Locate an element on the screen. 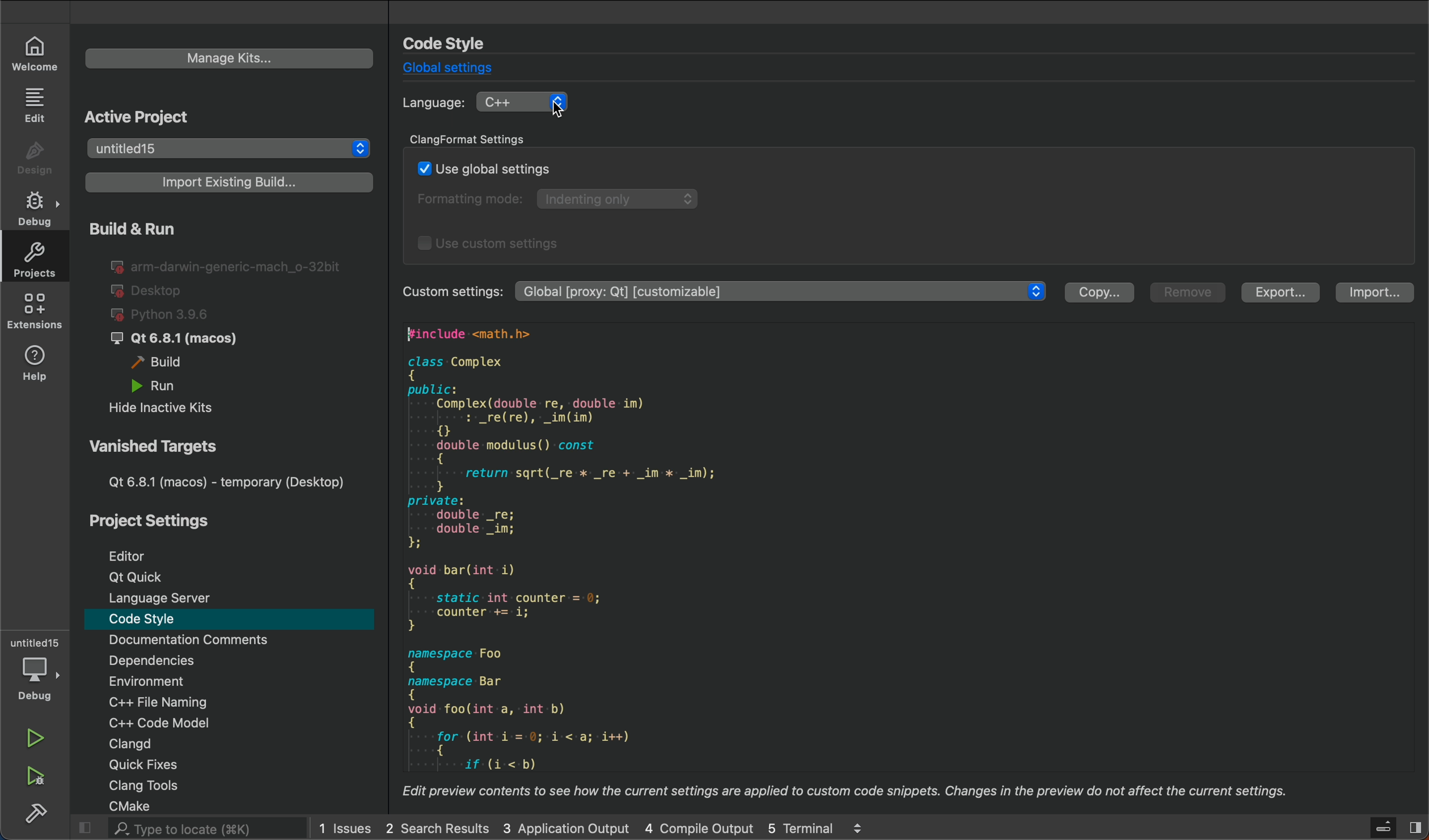  targets is located at coordinates (220, 464).